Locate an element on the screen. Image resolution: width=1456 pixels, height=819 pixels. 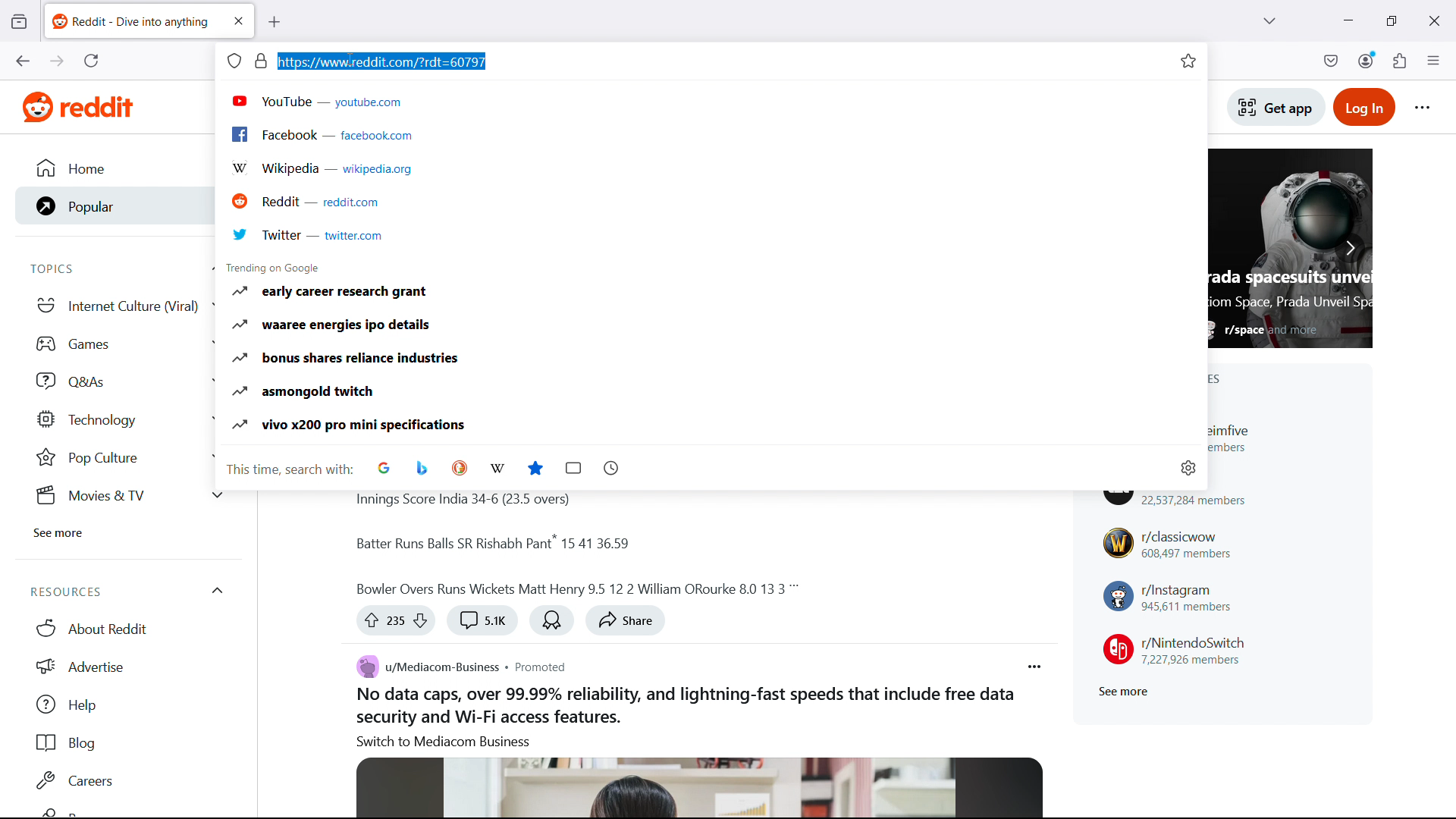
Technology is located at coordinates (115, 421).